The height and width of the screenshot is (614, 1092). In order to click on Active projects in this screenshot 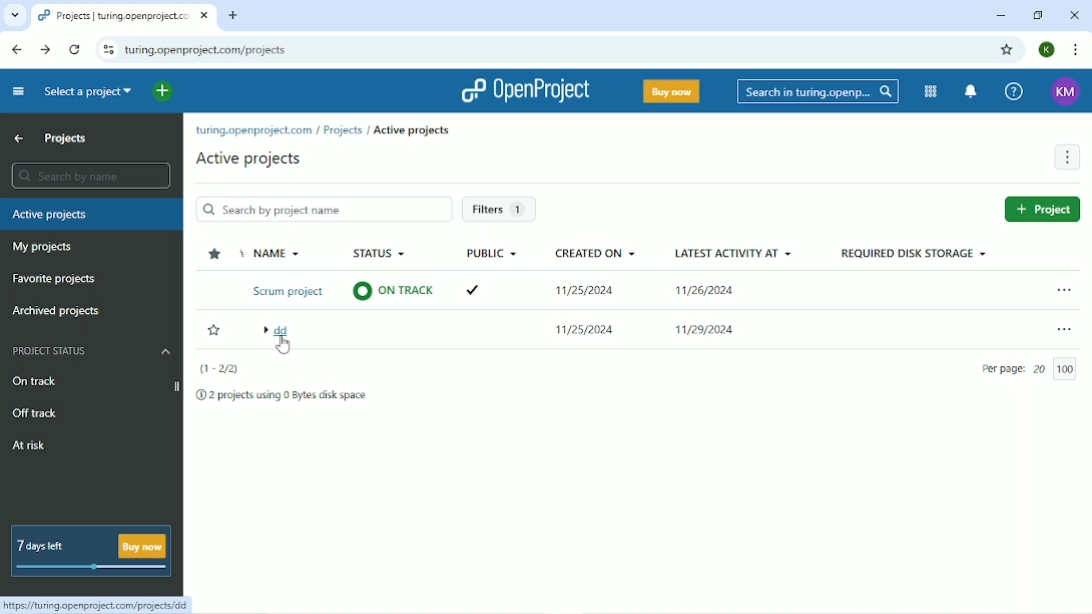, I will do `click(253, 160)`.